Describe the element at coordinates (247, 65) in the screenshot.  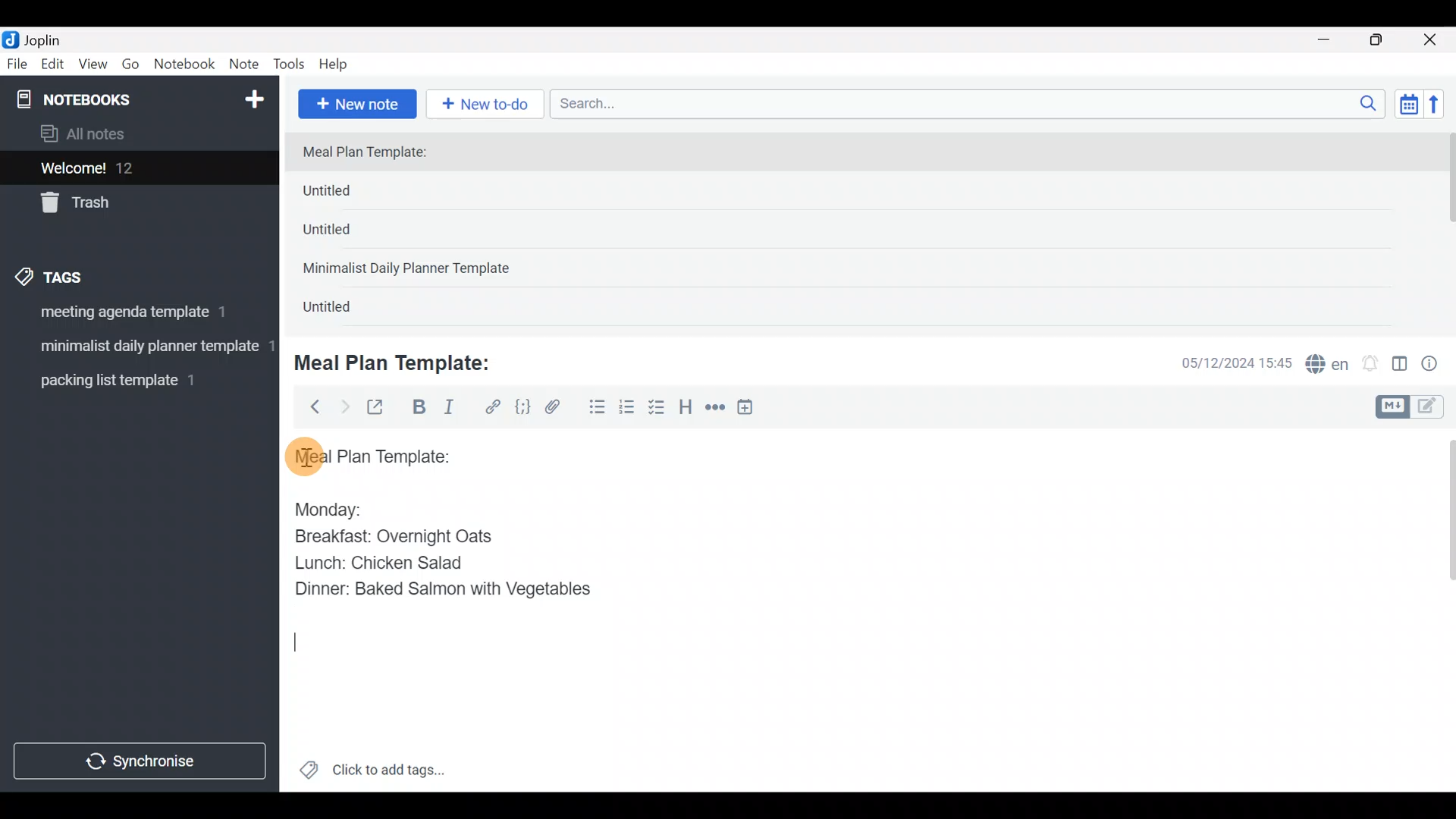
I see `Note` at that location.